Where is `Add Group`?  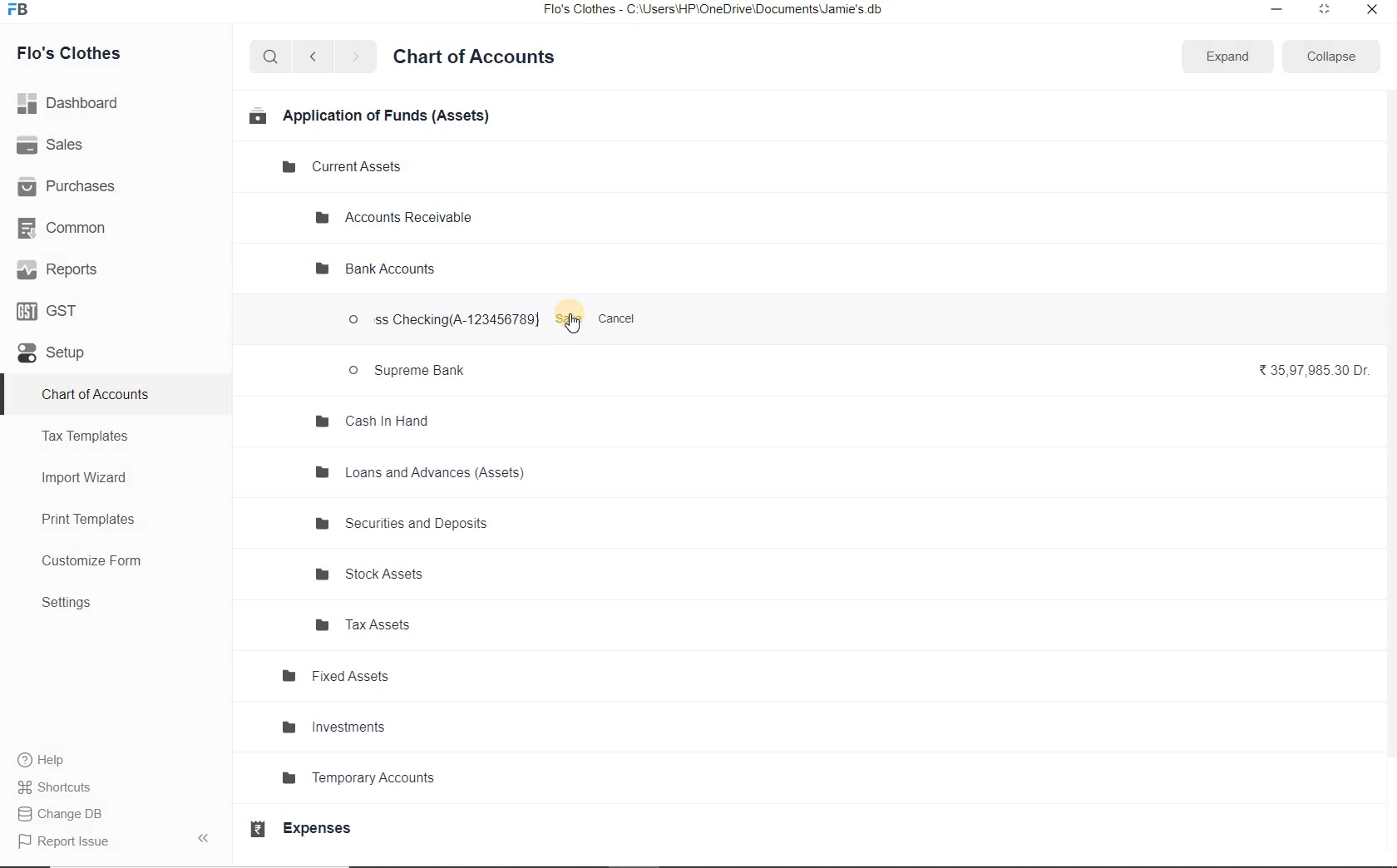 Add Group is located at coordinates (565, 269).